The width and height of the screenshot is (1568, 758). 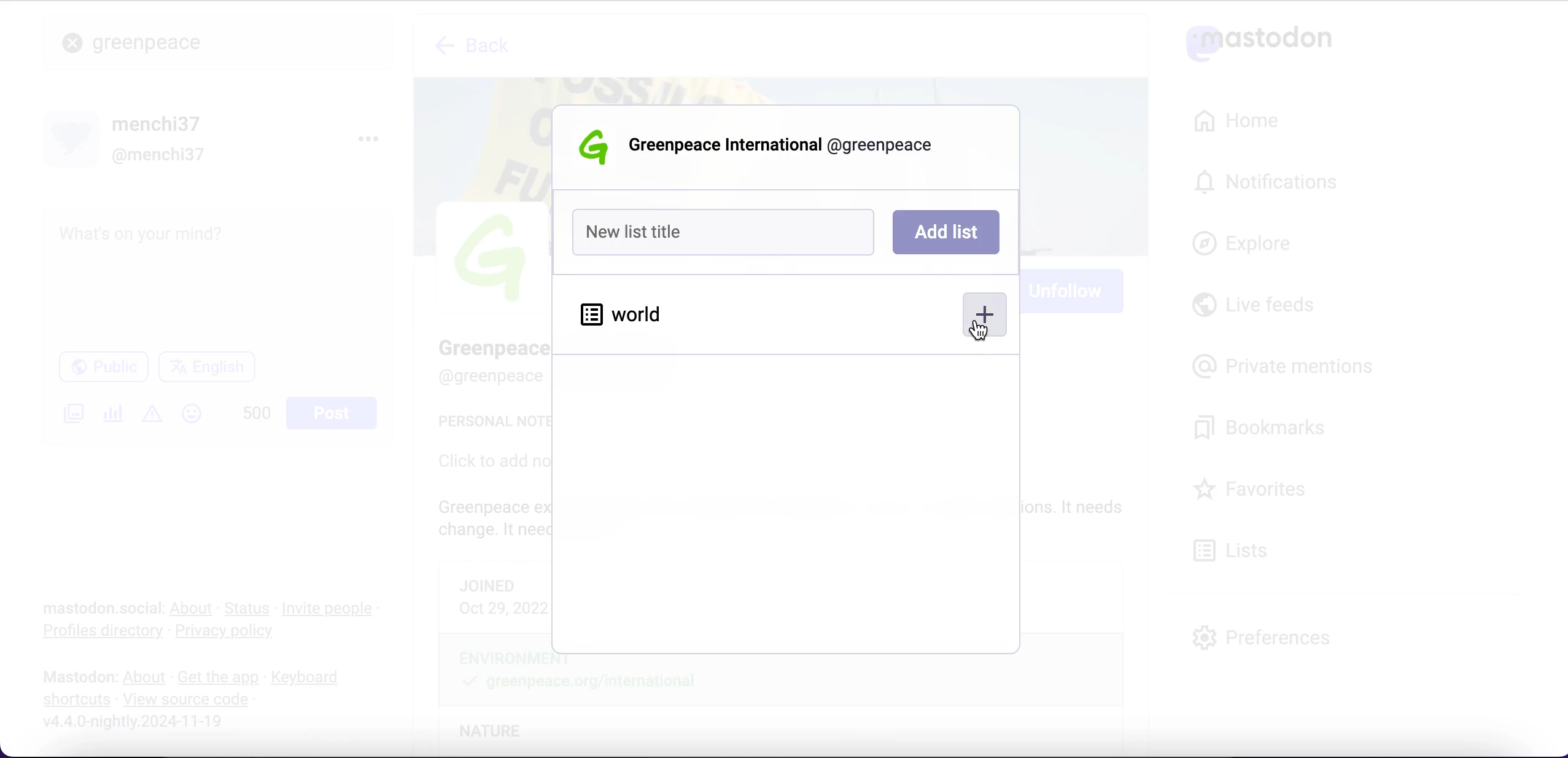 I want to click on add, so click(x=983, y=318).